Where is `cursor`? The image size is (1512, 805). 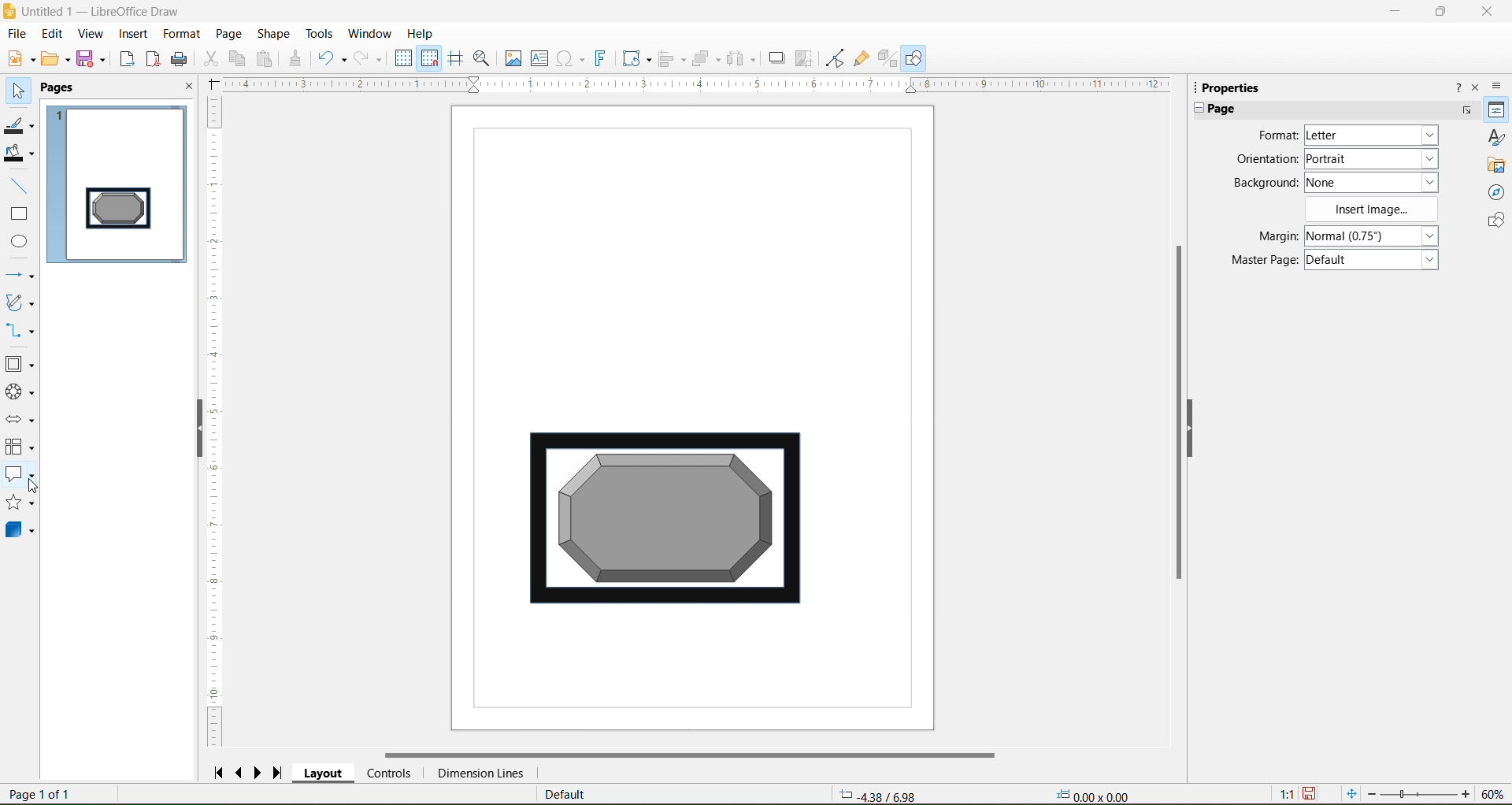 cursor is located at coordinates (35, 484).